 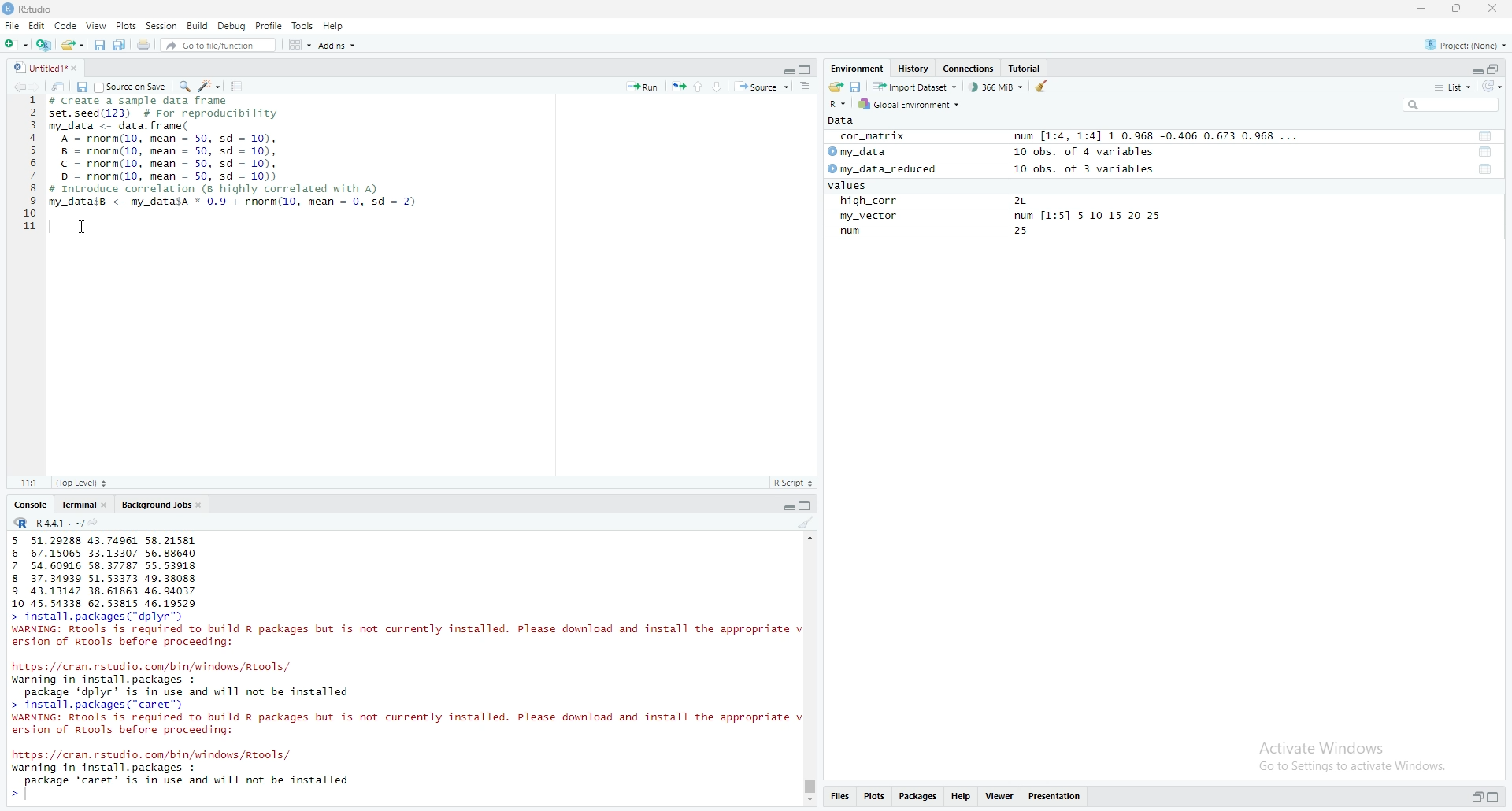 I want to click on edit, so click(x=210, y=85).